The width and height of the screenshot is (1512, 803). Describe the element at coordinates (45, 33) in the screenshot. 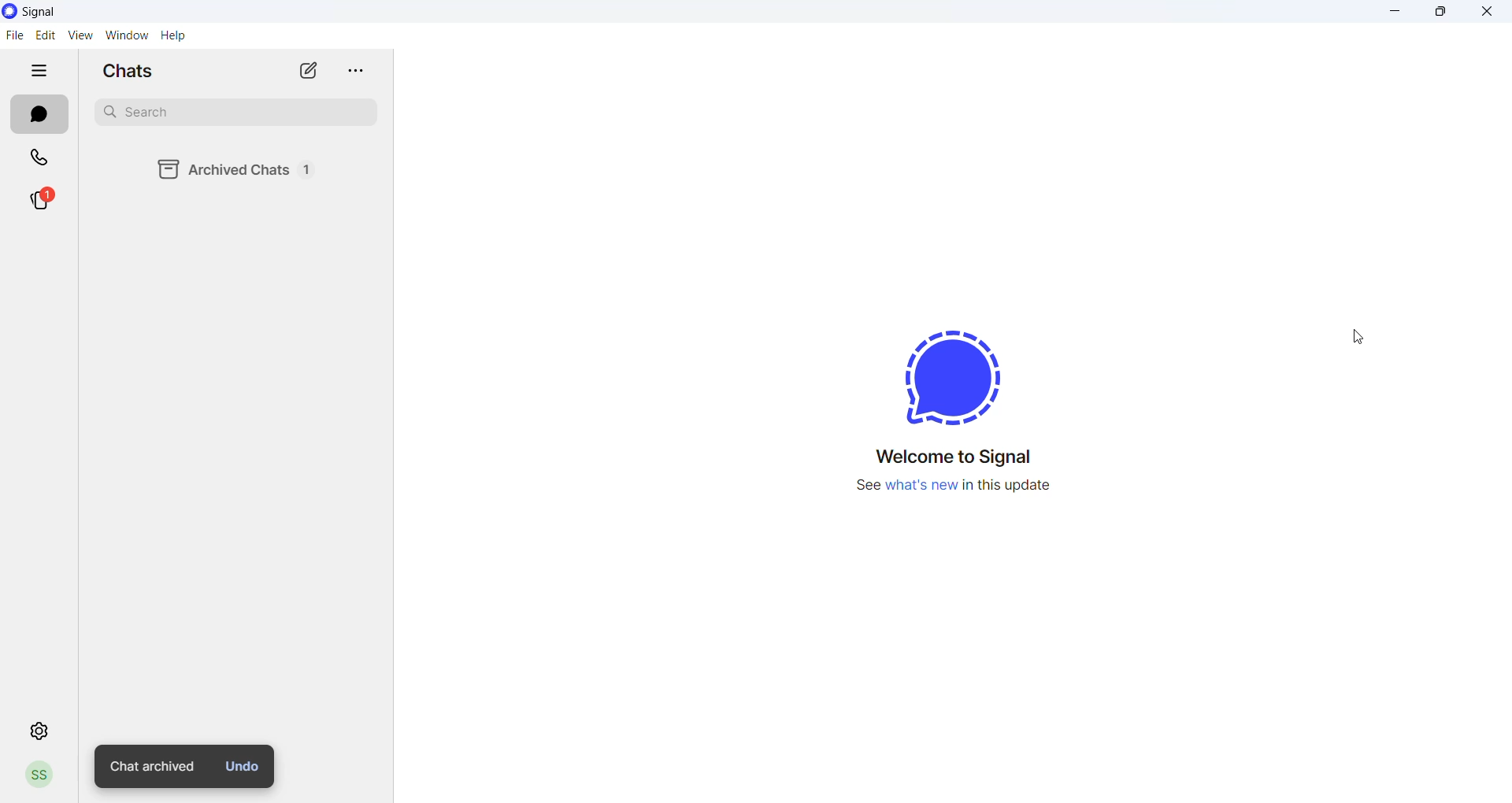

I see `edit` at that location.